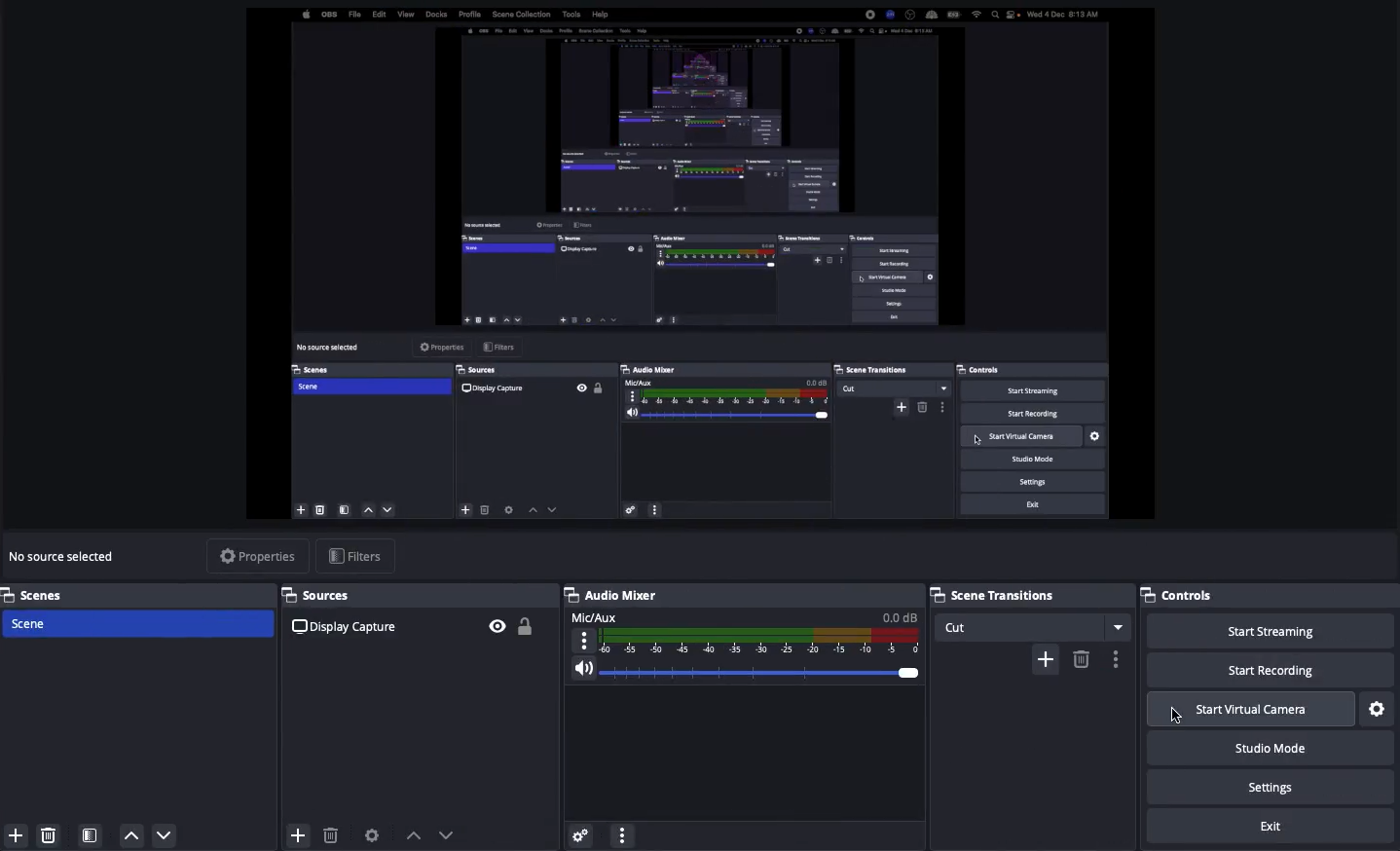 This screenshot has width=1400, height=851. I want to click on Unlock, so click(530, 622).